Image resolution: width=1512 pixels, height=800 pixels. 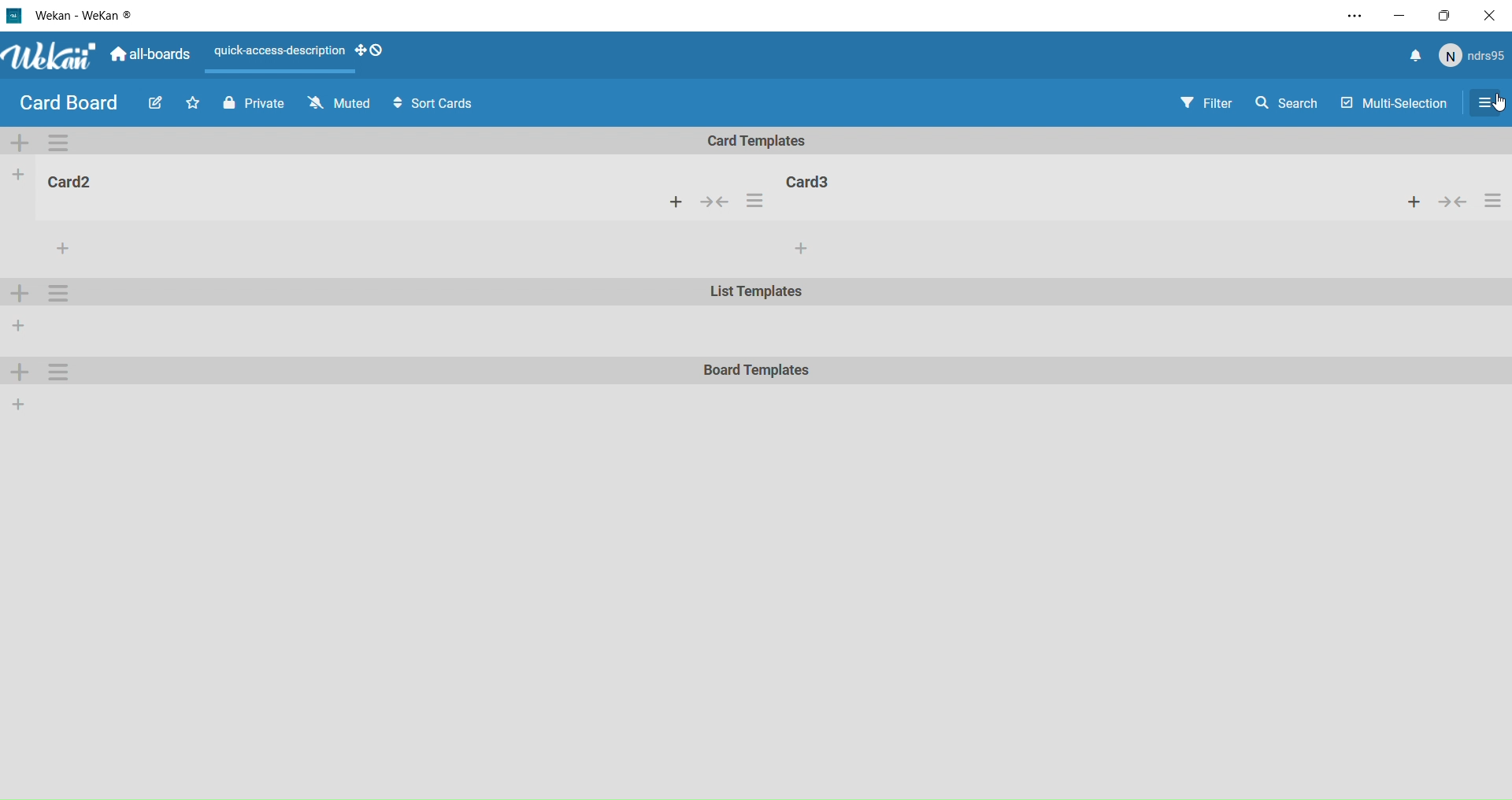 I want to click on Filtrar, so click(x=1208, y=102).